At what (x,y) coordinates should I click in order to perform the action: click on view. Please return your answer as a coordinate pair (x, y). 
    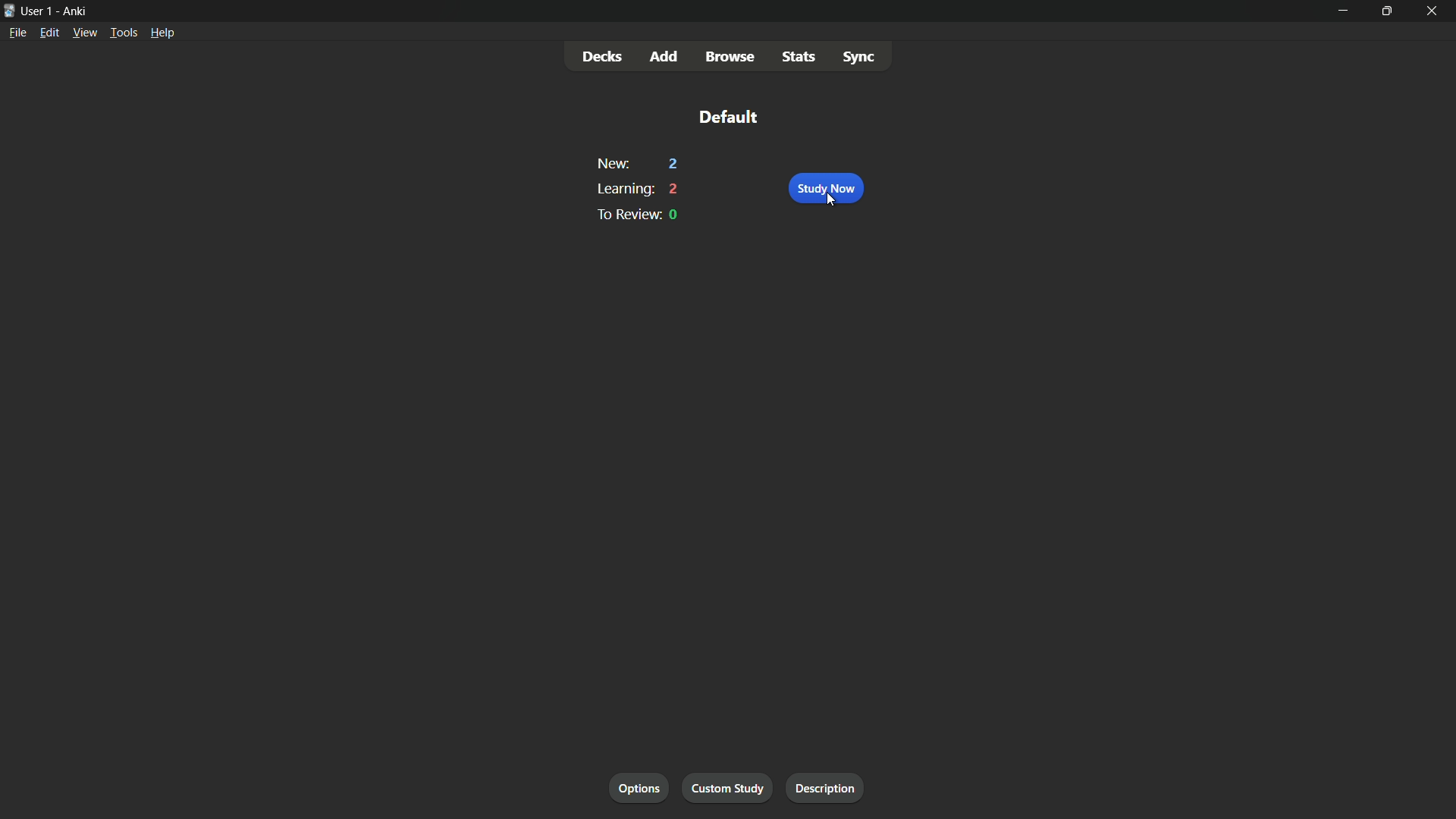
    Looking at the image, I should click on (84, 32).